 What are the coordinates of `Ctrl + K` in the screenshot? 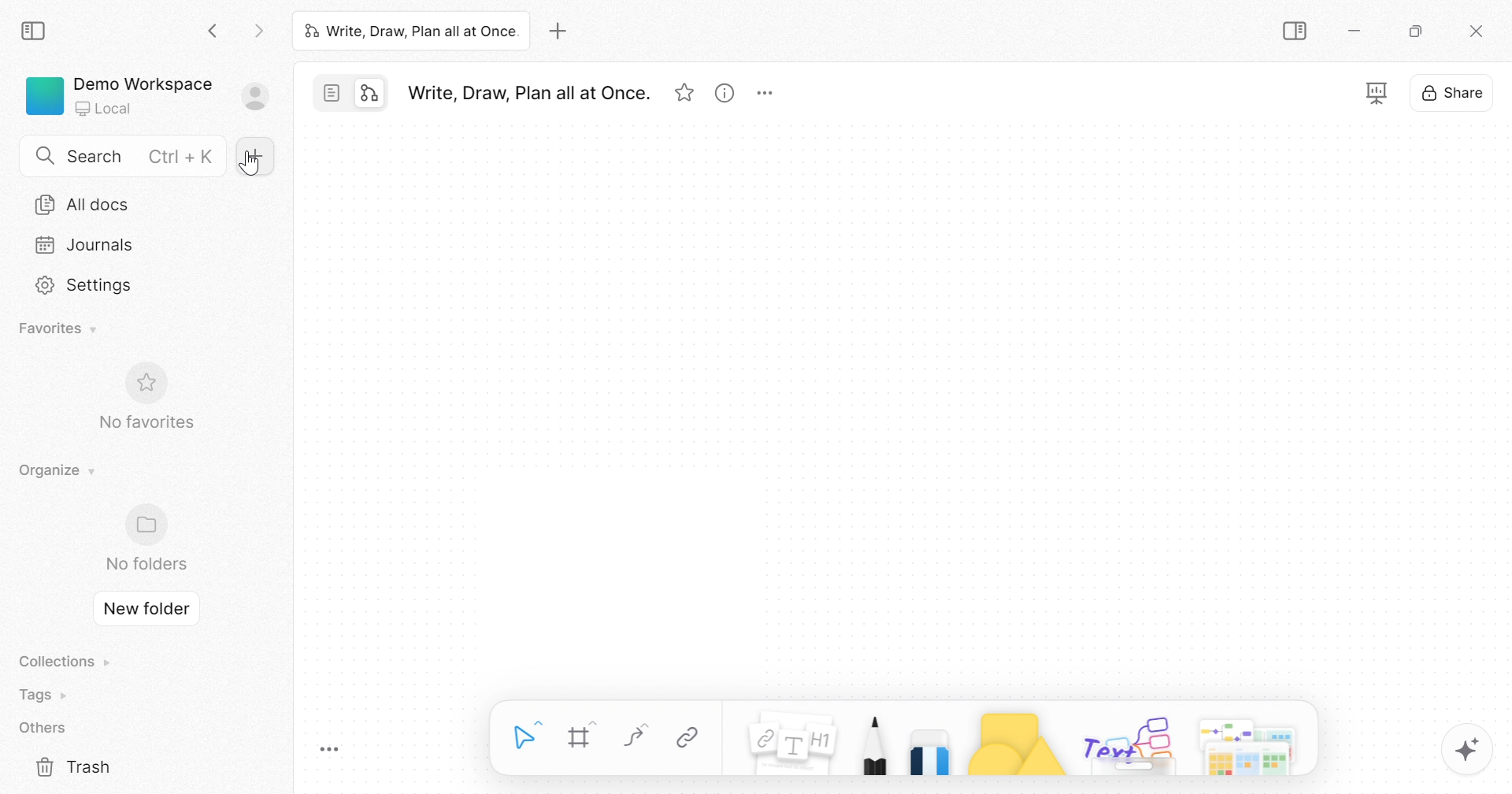 It's located at (183, 157).